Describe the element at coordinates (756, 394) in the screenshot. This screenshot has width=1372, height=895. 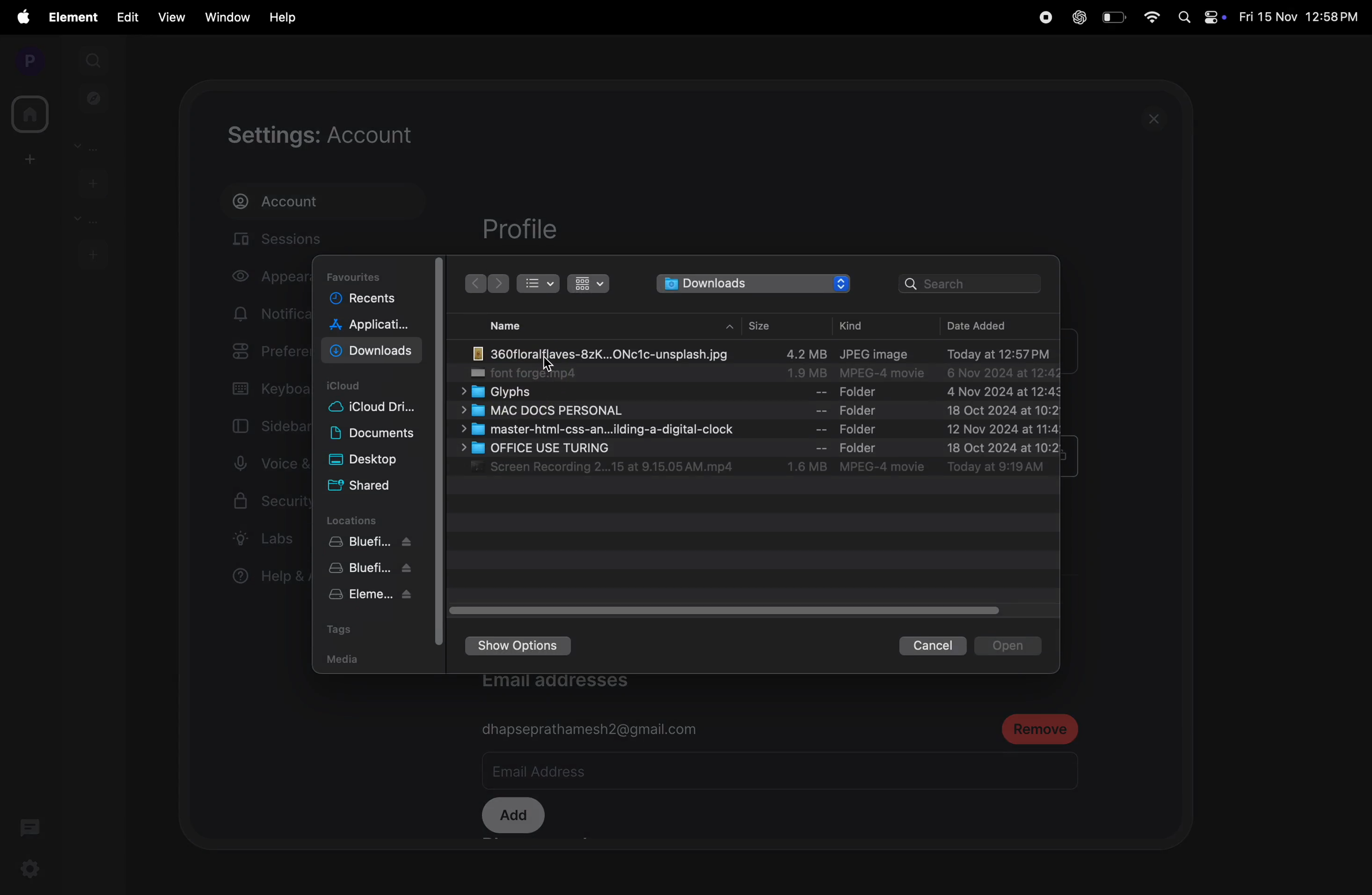
I see `glyph` at that location.